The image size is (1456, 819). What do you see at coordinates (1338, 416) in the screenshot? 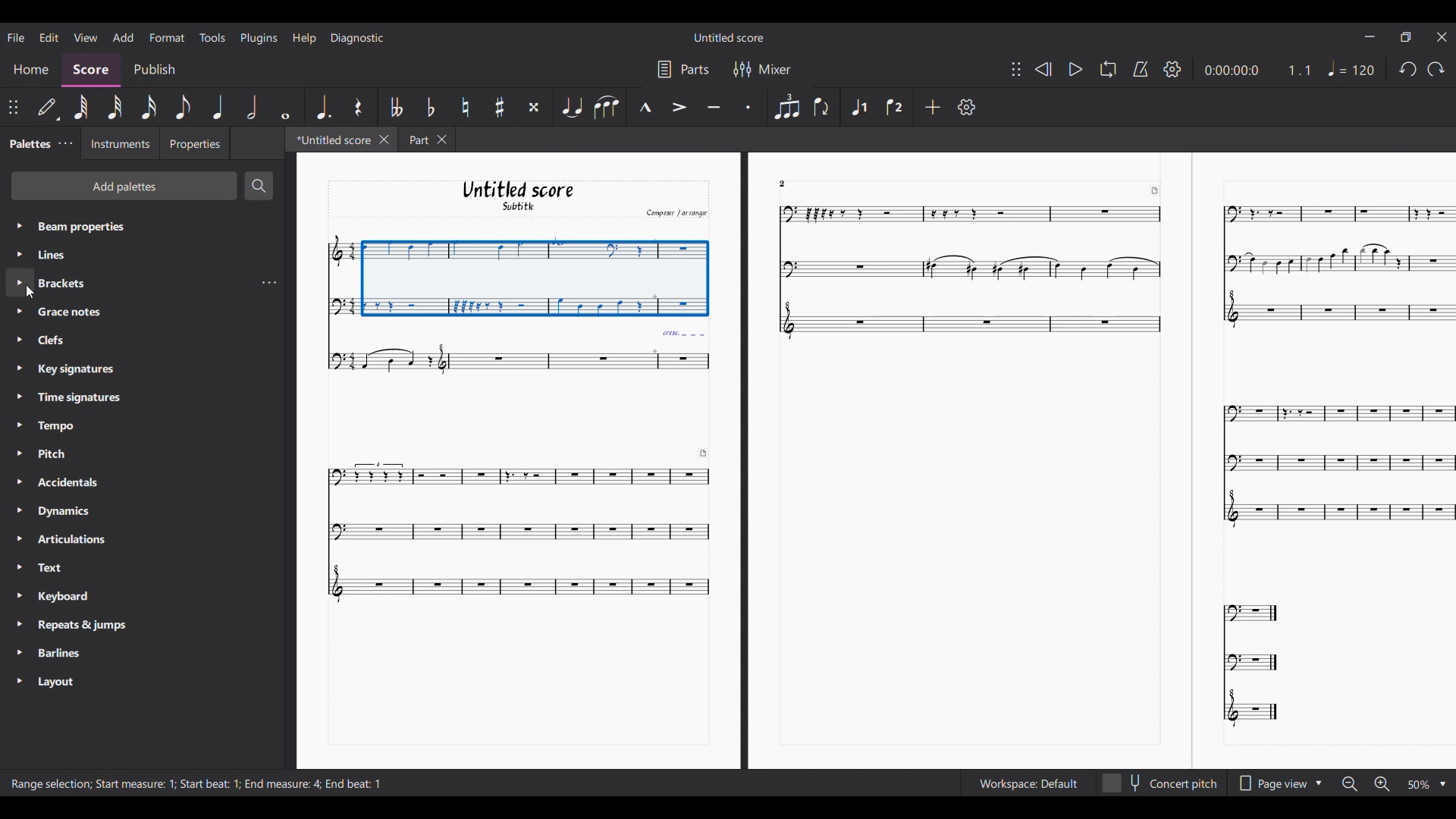
I see `` at bounding box center [1338, 416].